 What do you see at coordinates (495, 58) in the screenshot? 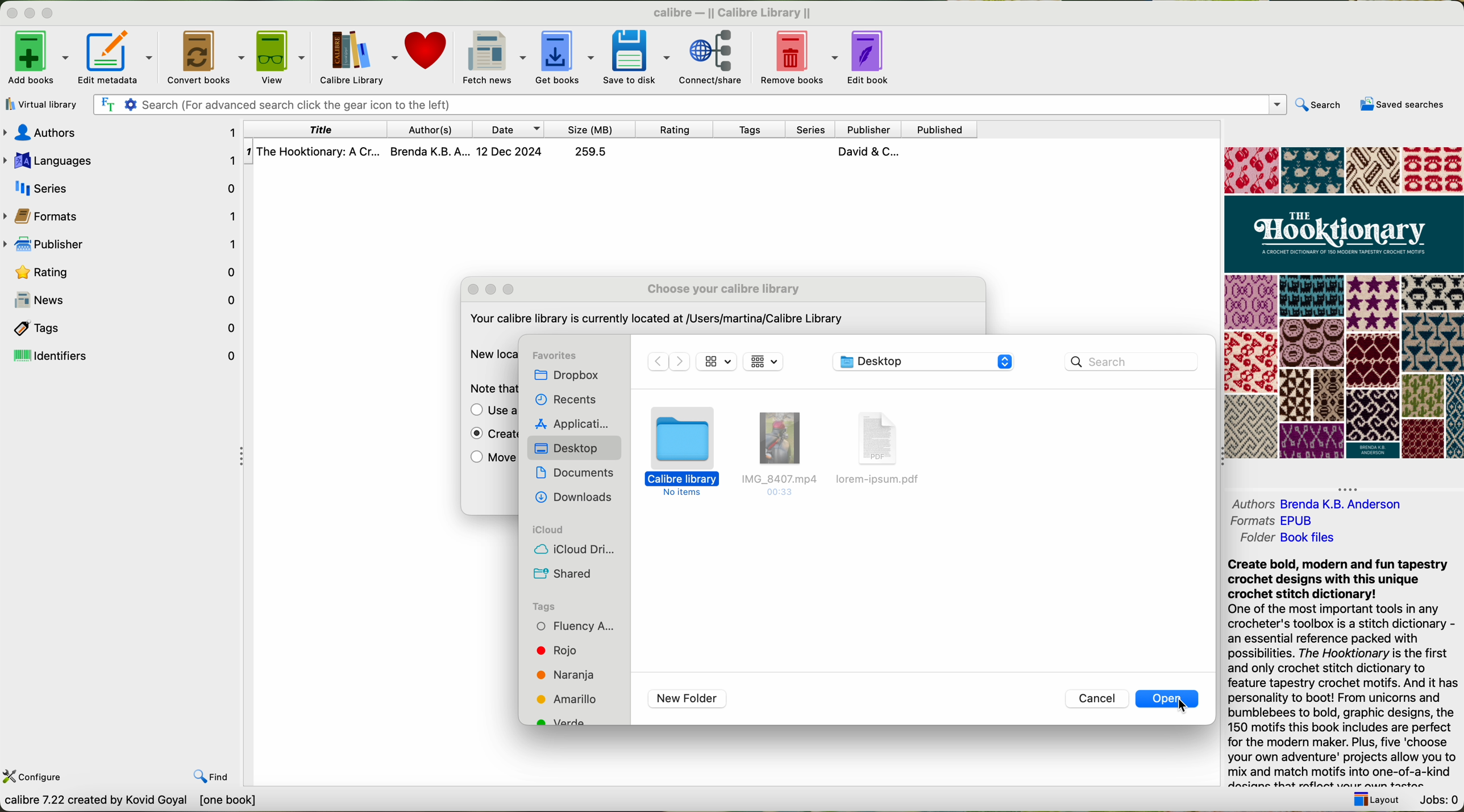
I see `fetch news` at bounding box center [495, 58].